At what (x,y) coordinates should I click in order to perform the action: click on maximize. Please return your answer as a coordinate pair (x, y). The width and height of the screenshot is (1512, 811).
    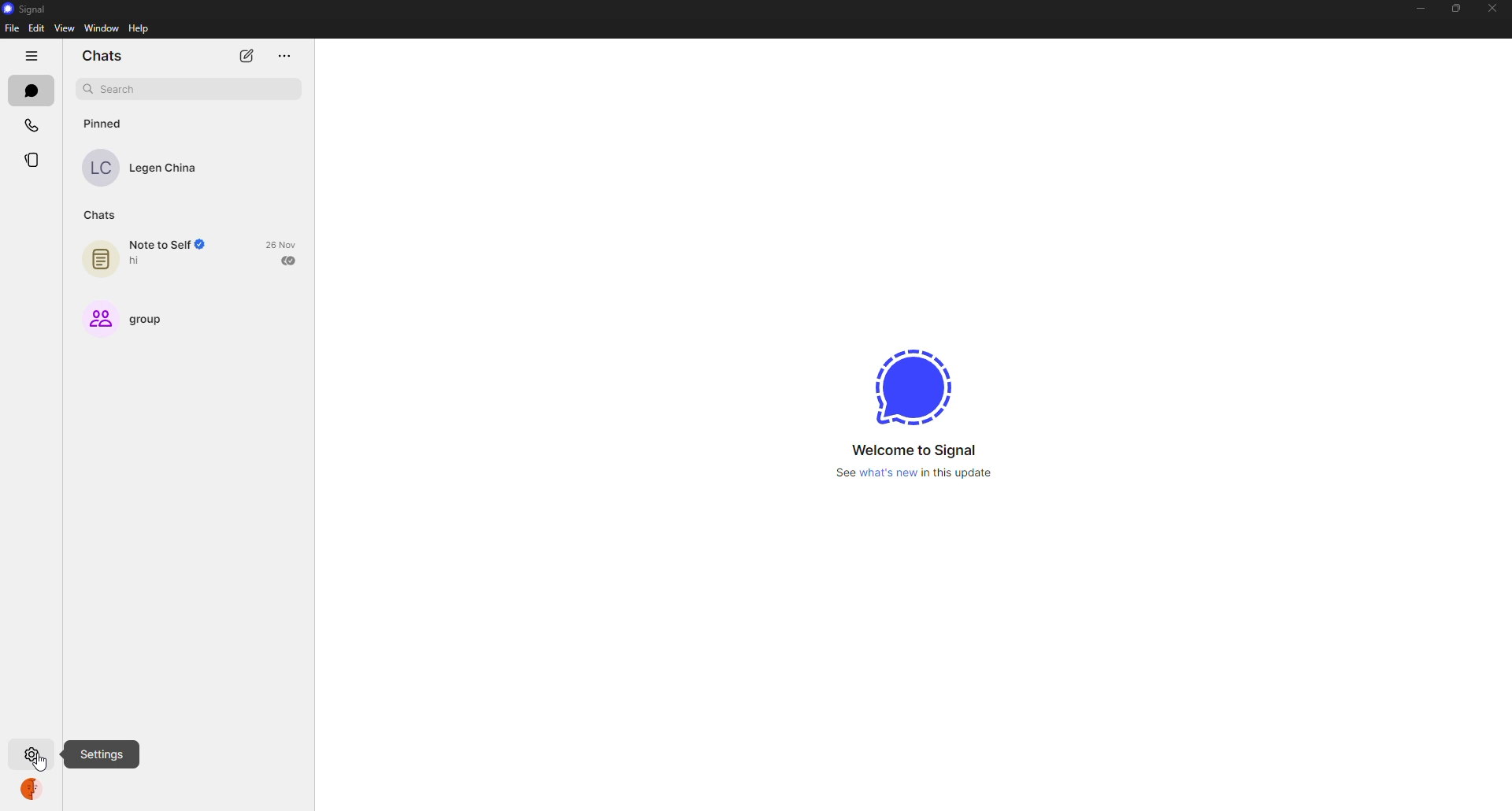
    Looking at the image, I should click on (1453, 8).